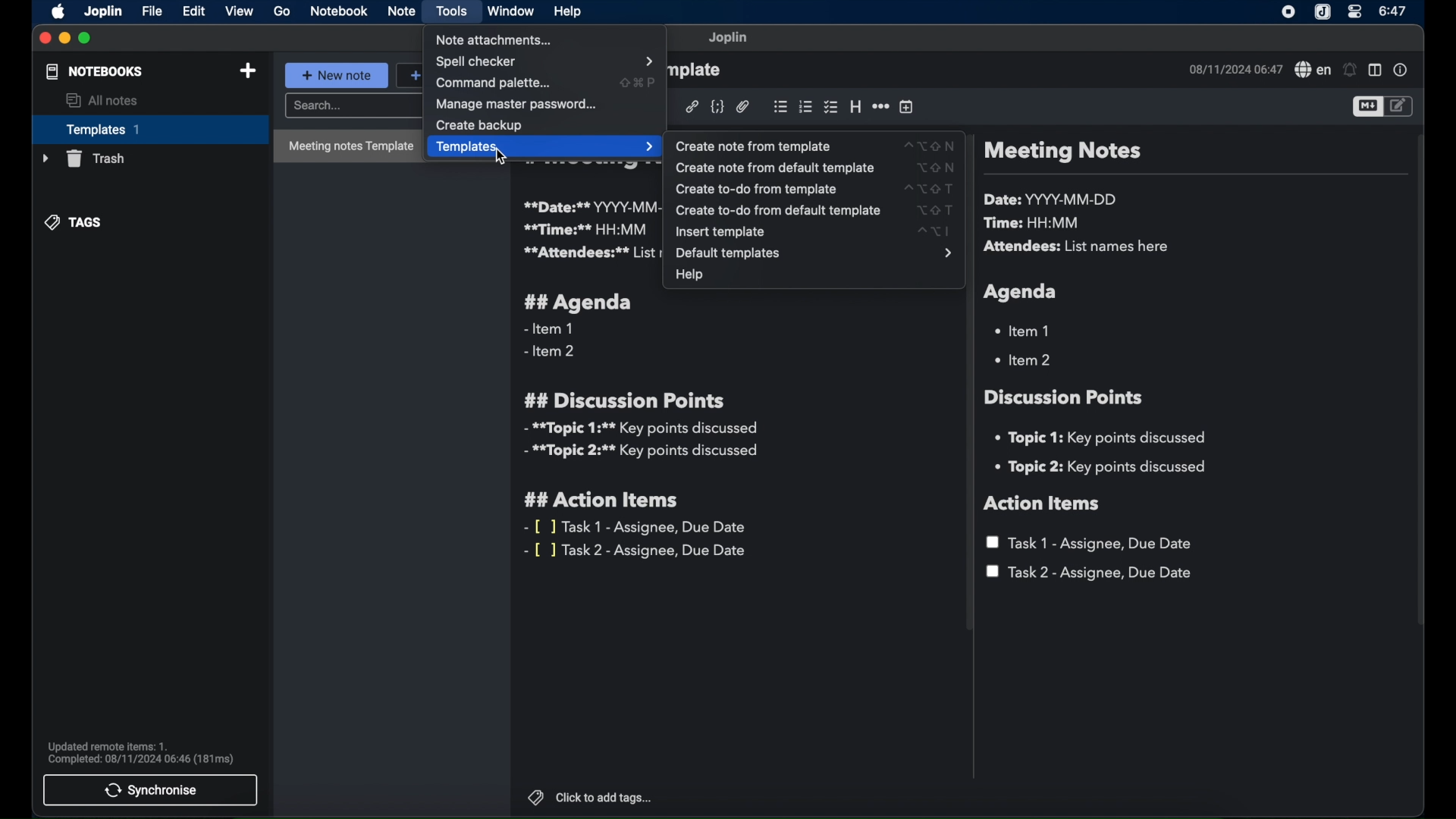  Describe the element at coordinates (152, 790) in the screenshot. I see `synchronise` at that location.